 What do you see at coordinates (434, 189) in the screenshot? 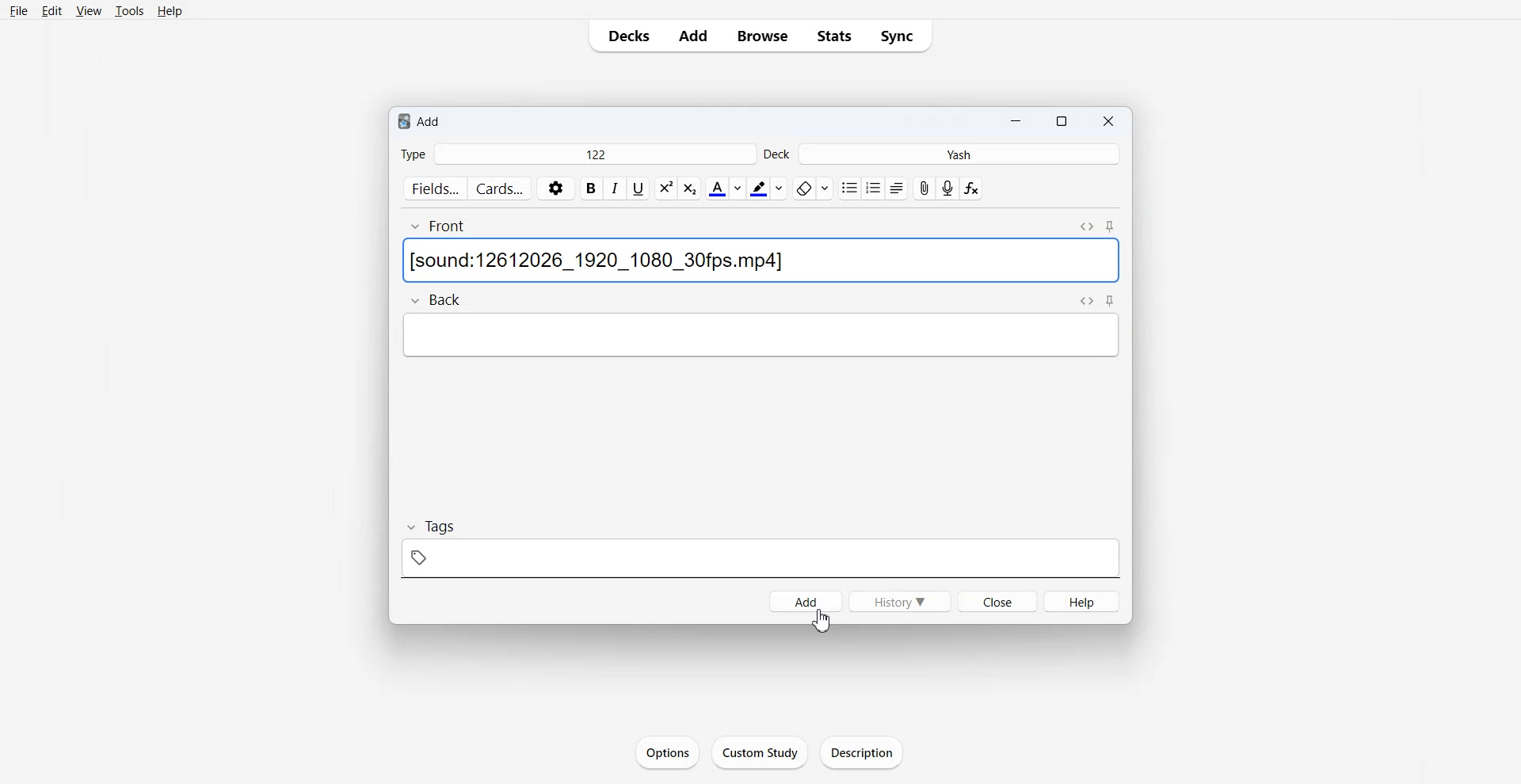
I see `Fields` at bounding box center [434, 189].